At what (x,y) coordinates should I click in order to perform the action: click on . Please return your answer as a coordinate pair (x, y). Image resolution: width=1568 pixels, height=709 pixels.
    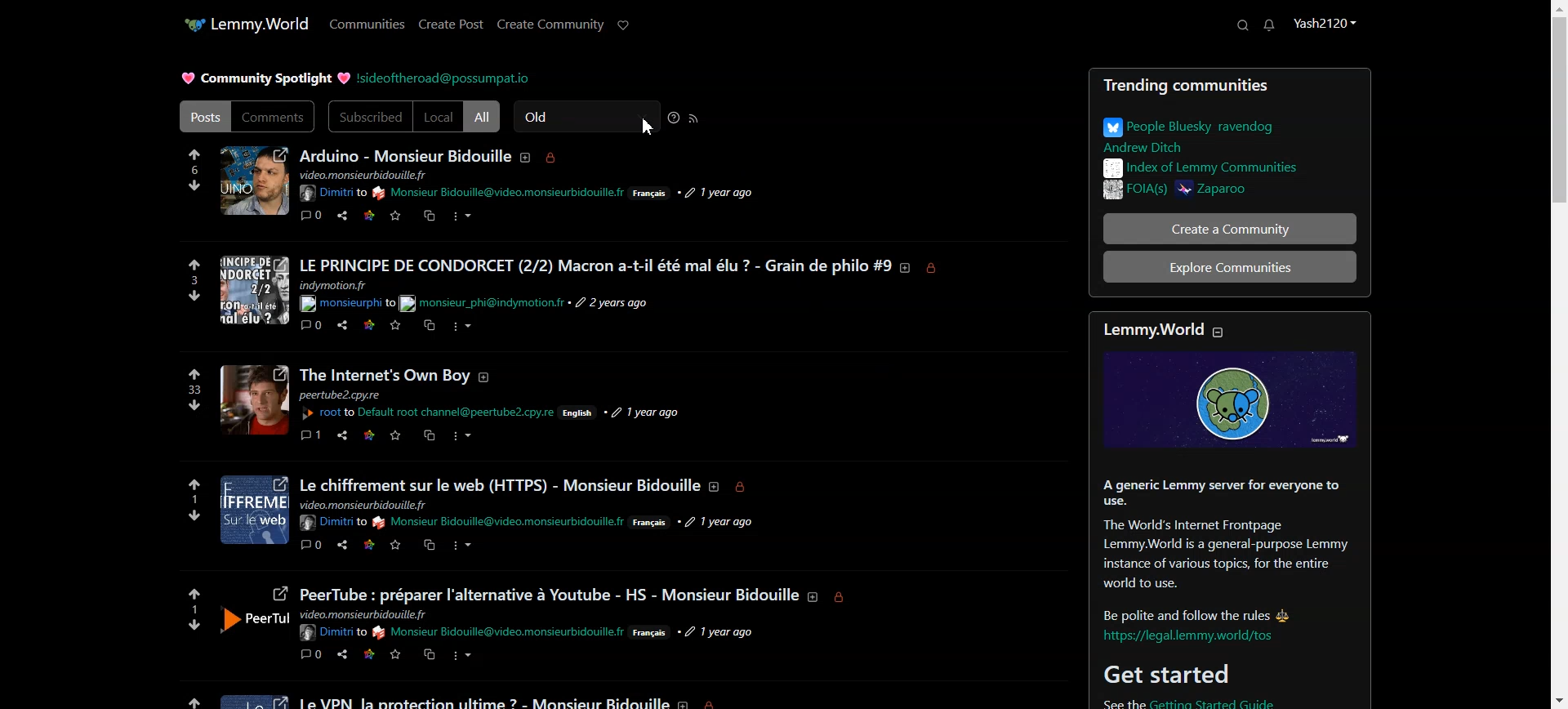
    Looking at the image, I should click on (256, 613).